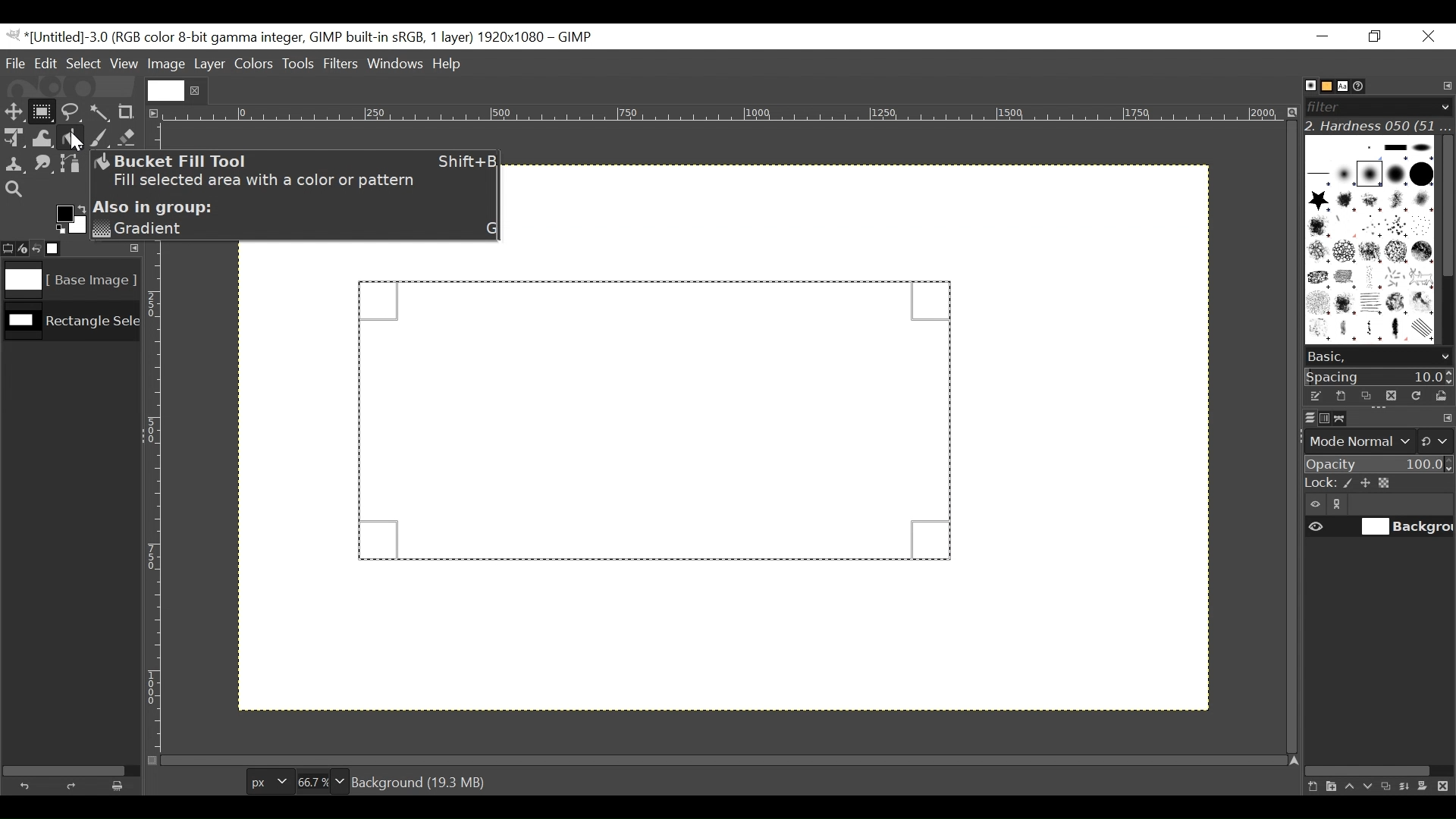  What do you see at coordinates (1365, 243) in the screenshot?
I see `Patterns` at bounding box center [1365, 243].